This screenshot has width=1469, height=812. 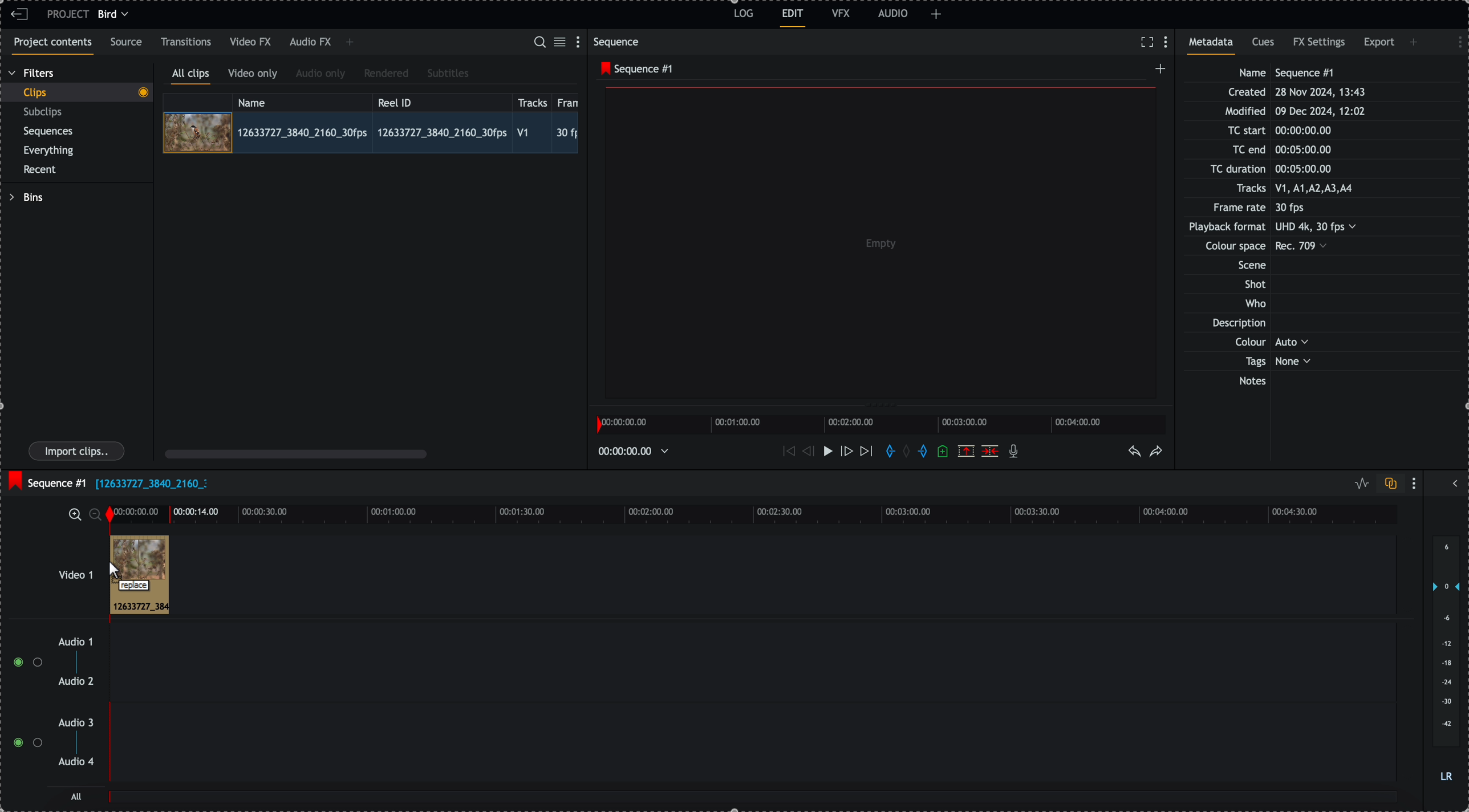 What do you see at coordinates (1147, 42) in the screenshot?
I see `fullscreen` at bounding box center [1147, 42].